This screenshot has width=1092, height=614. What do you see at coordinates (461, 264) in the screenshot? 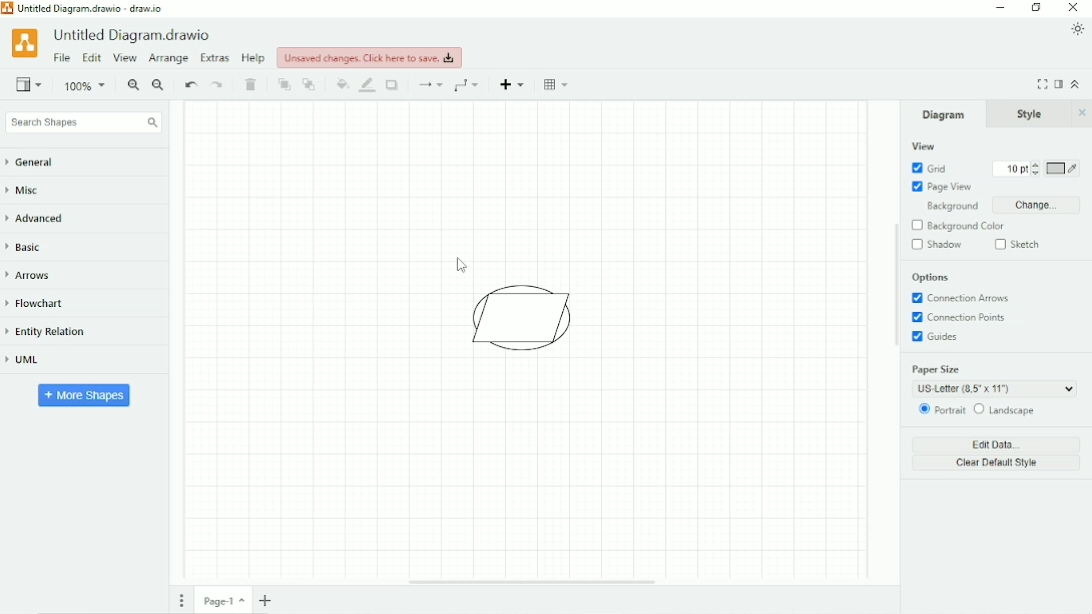
I see `Cursor` at bounding box center [461, 264].